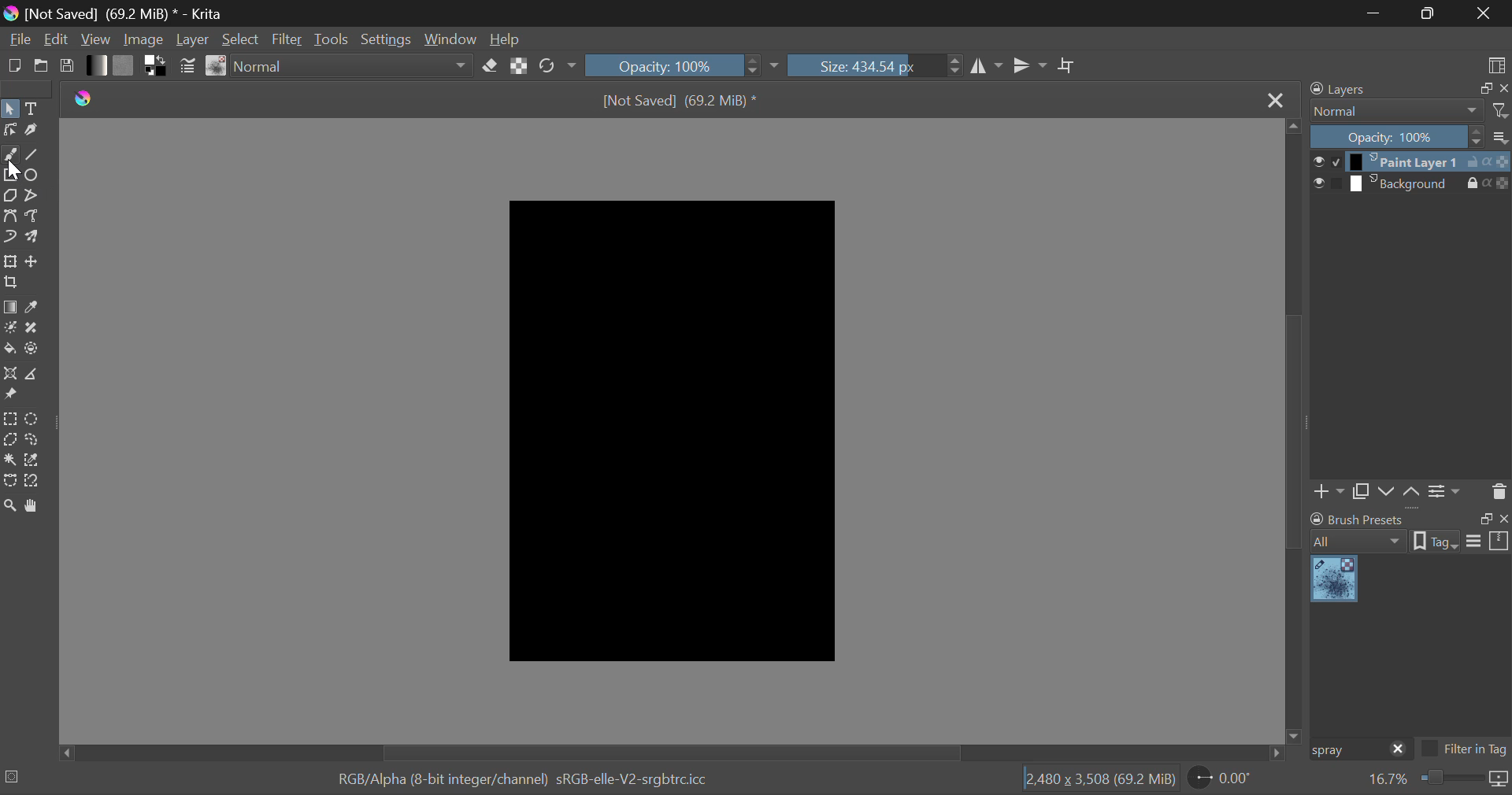 This screenshot has width=1512, height=795. I want to click on Lock Alpha, so click(520, 65).